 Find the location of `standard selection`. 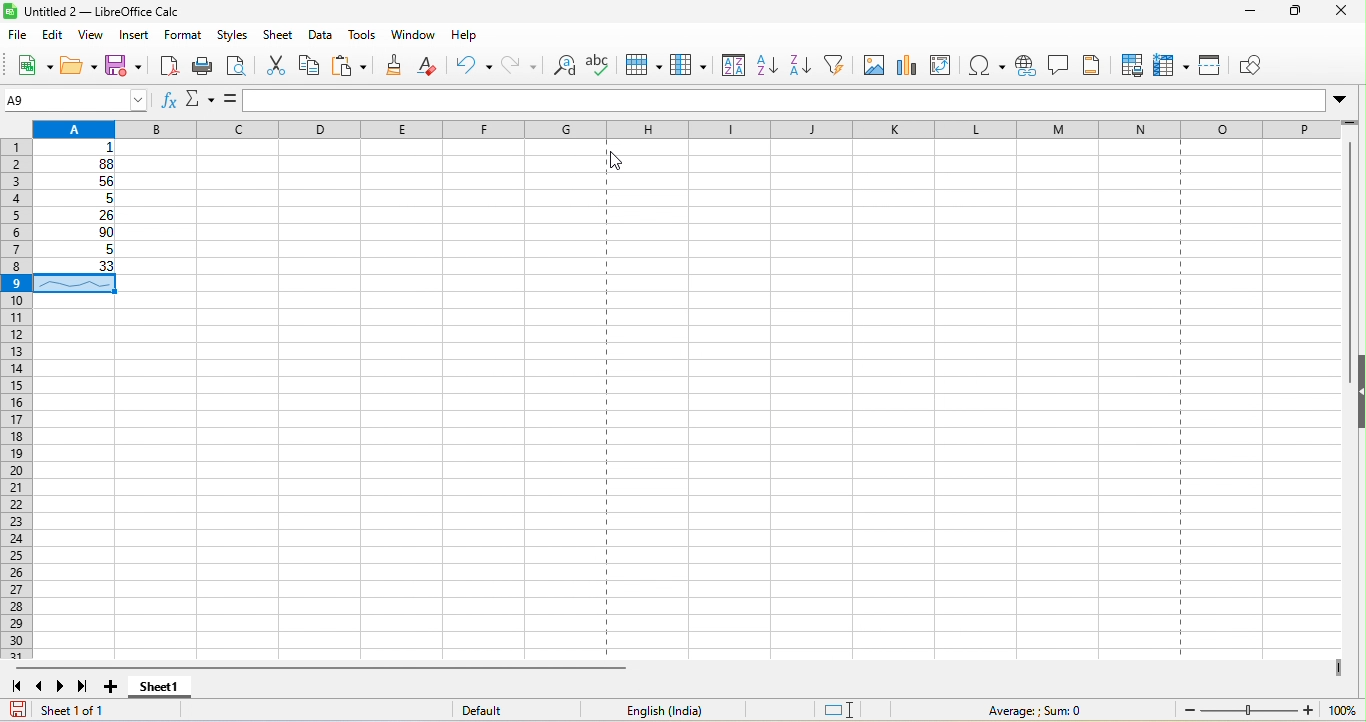

standard selection is located at coordinates (853, 710).